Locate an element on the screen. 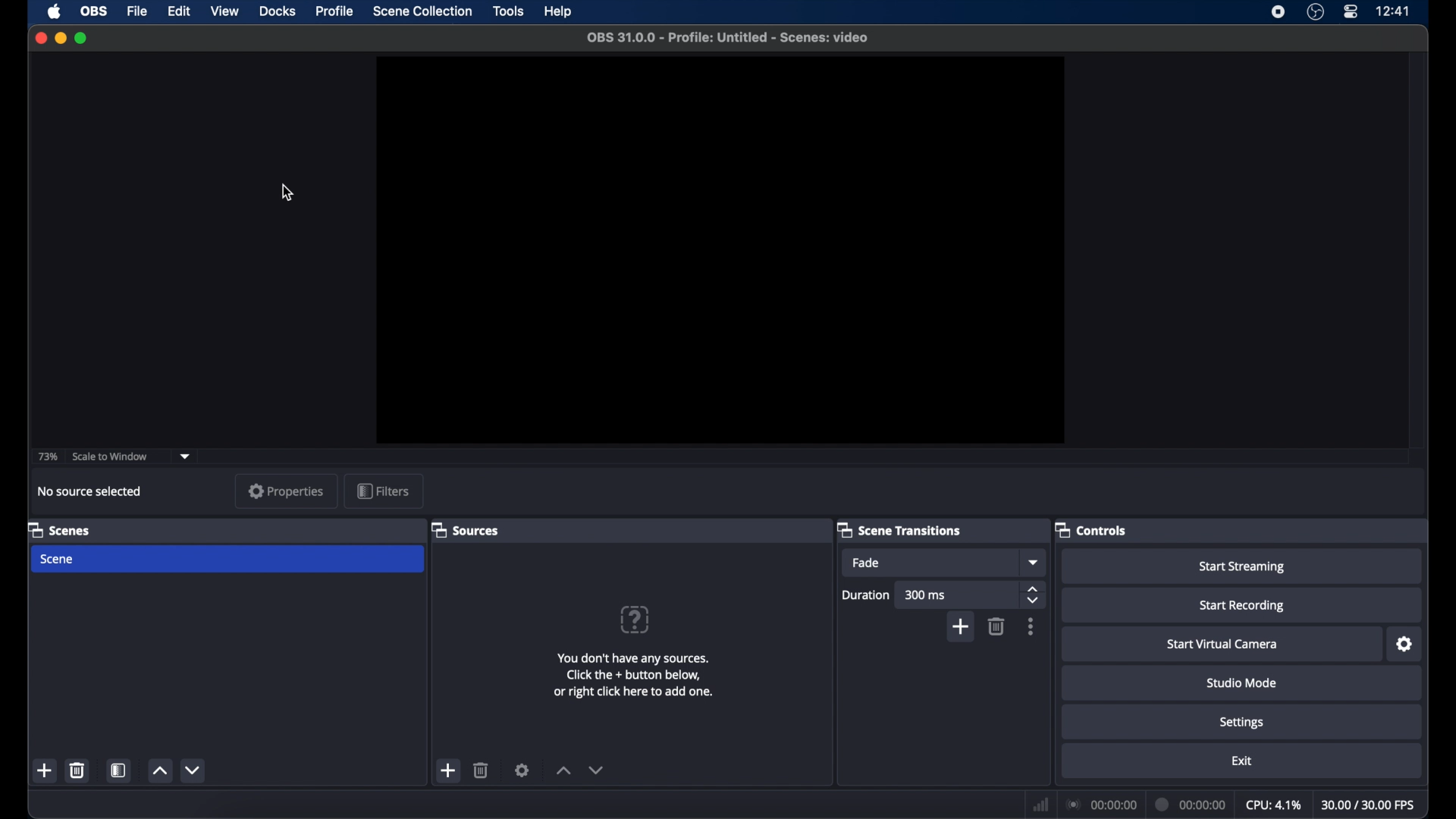  cursor is located at coordinates (288, 194).